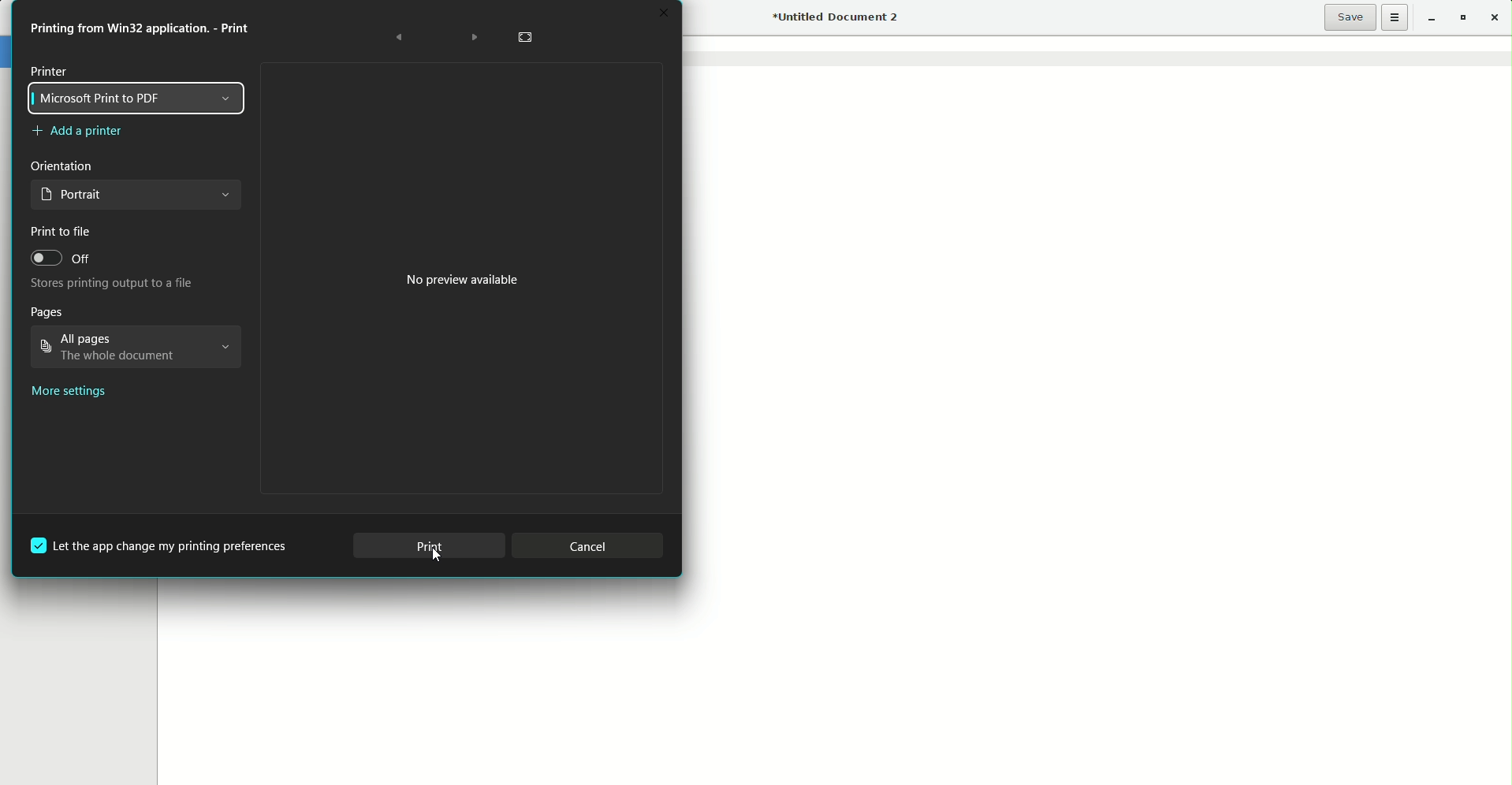 This screenshot has height=785, width=1512. Describe the element at coordinates (438, 559) in the screenshot. I see `Cursor` at that location.